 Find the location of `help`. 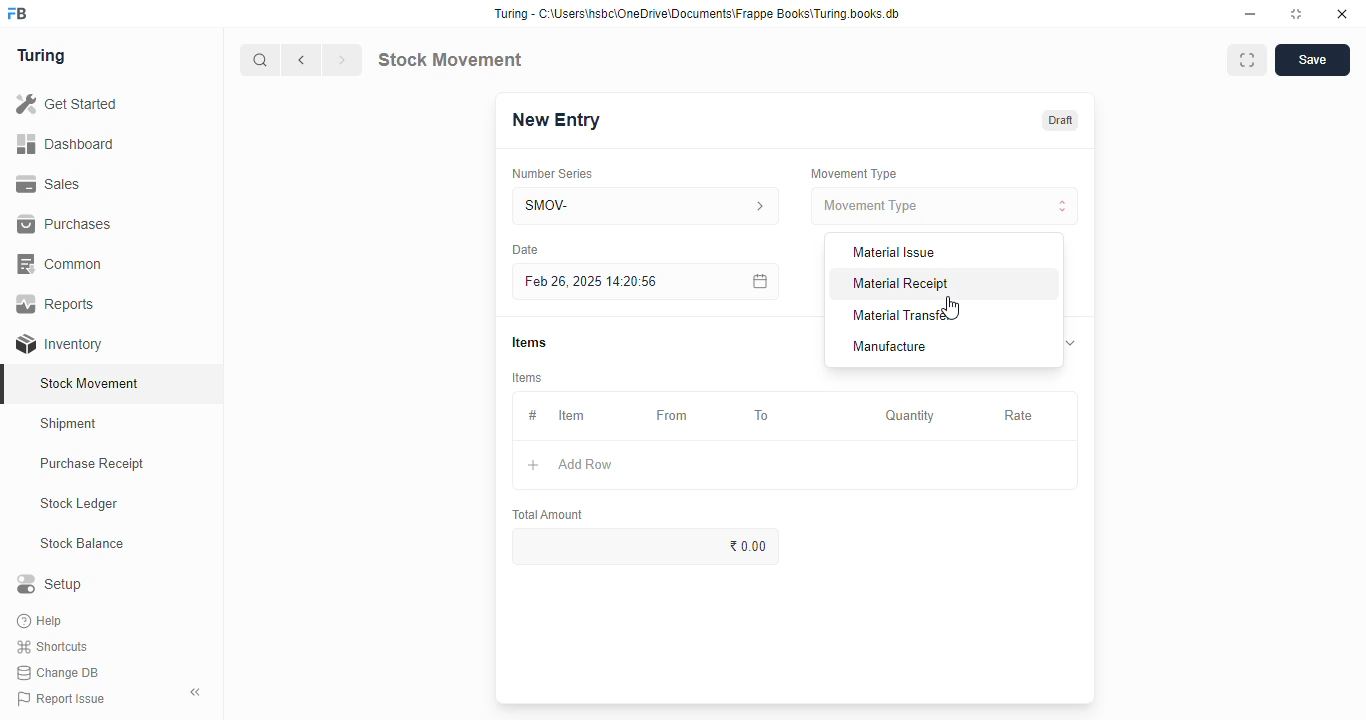

help is located at coordinates (42, 621).